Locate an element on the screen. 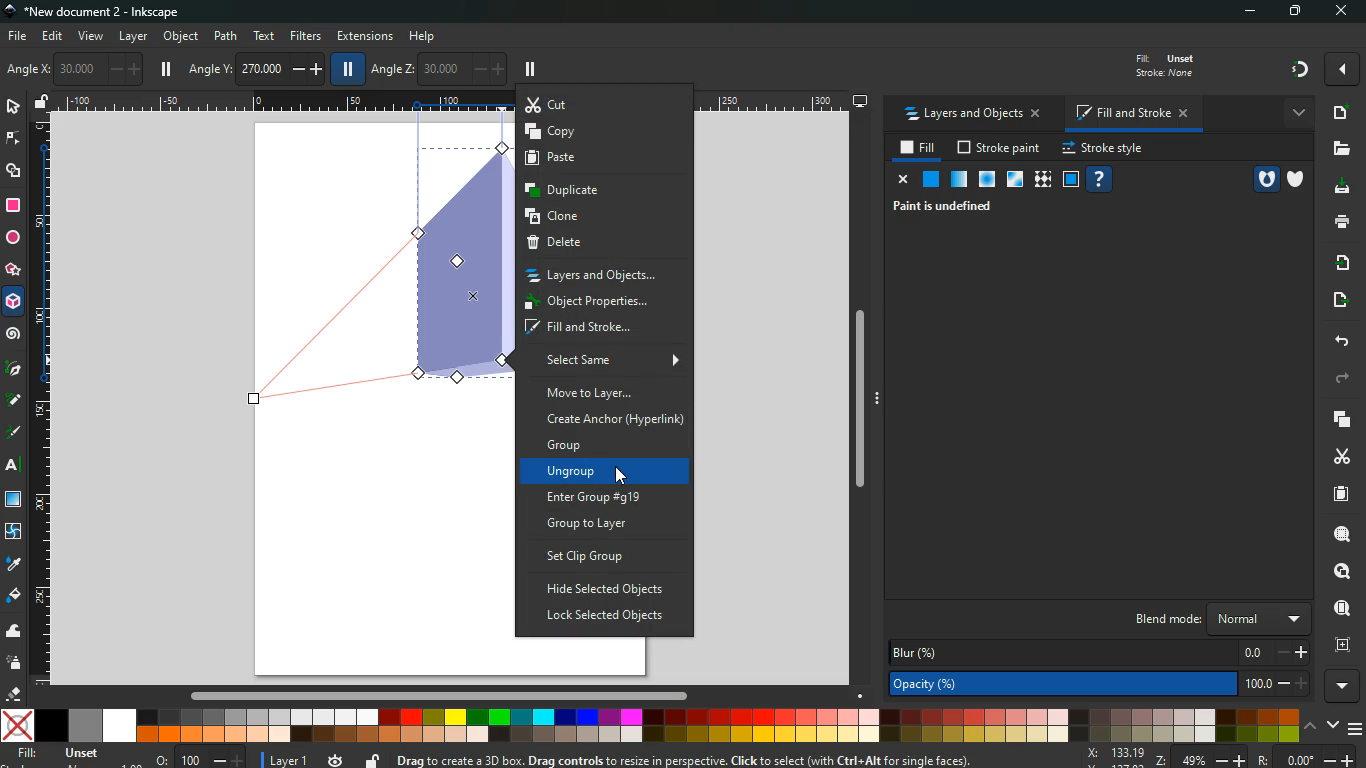 The height and width of the screenshot is (768, 1366). Cursor is located at coordinates (619, 474).